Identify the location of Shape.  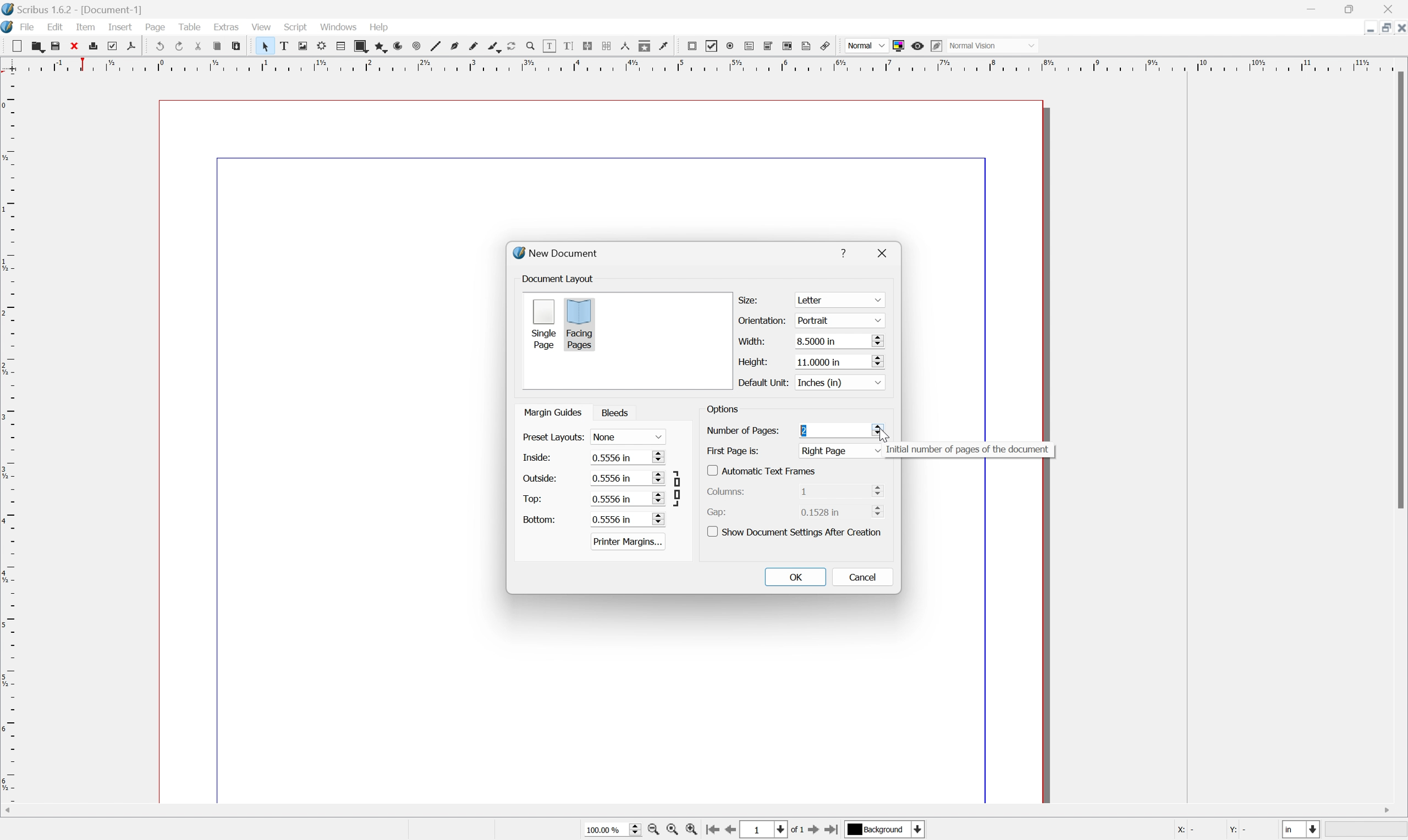
(357, 45).